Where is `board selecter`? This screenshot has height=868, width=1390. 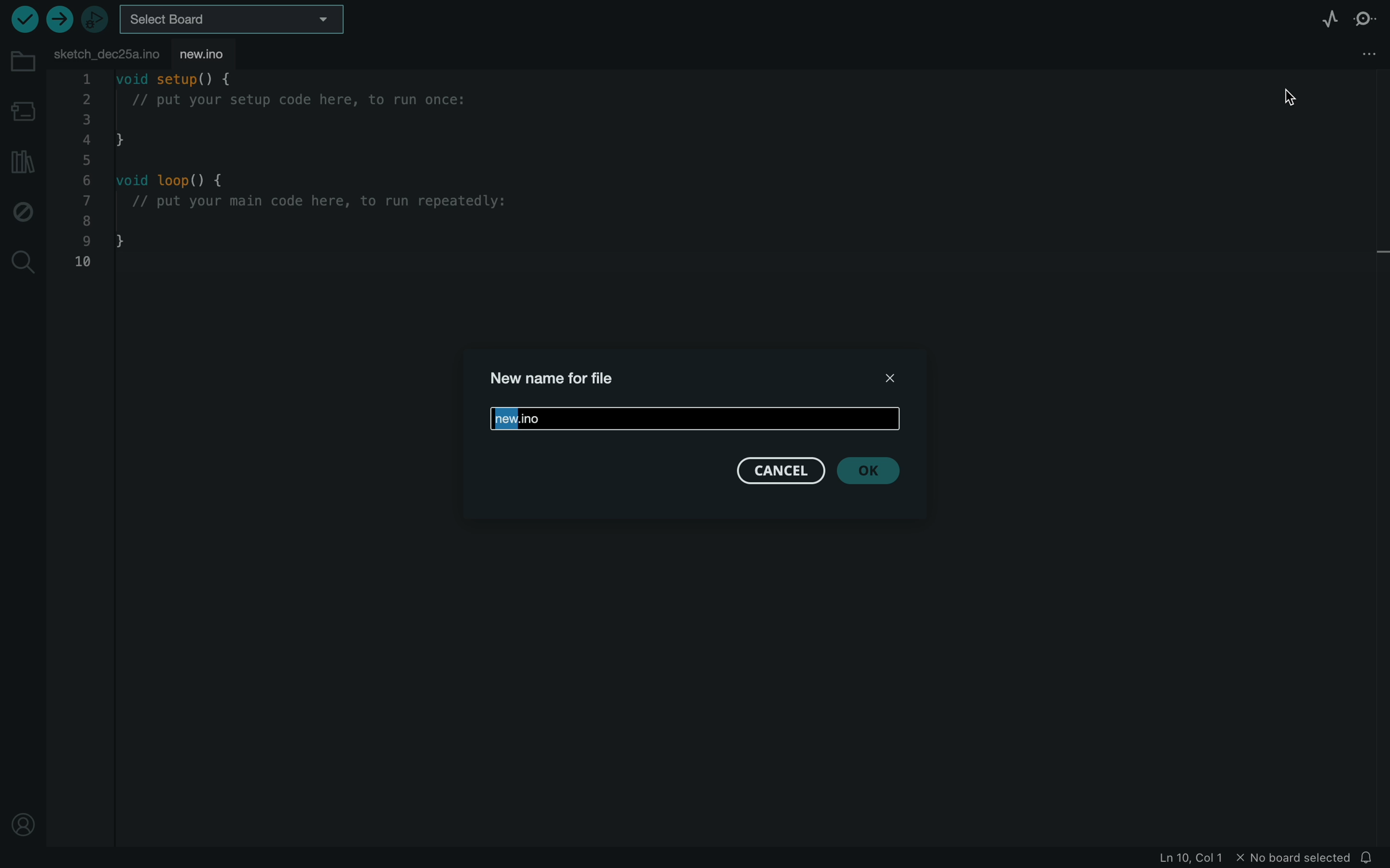 board selecter is located at coordinates (237, 19).